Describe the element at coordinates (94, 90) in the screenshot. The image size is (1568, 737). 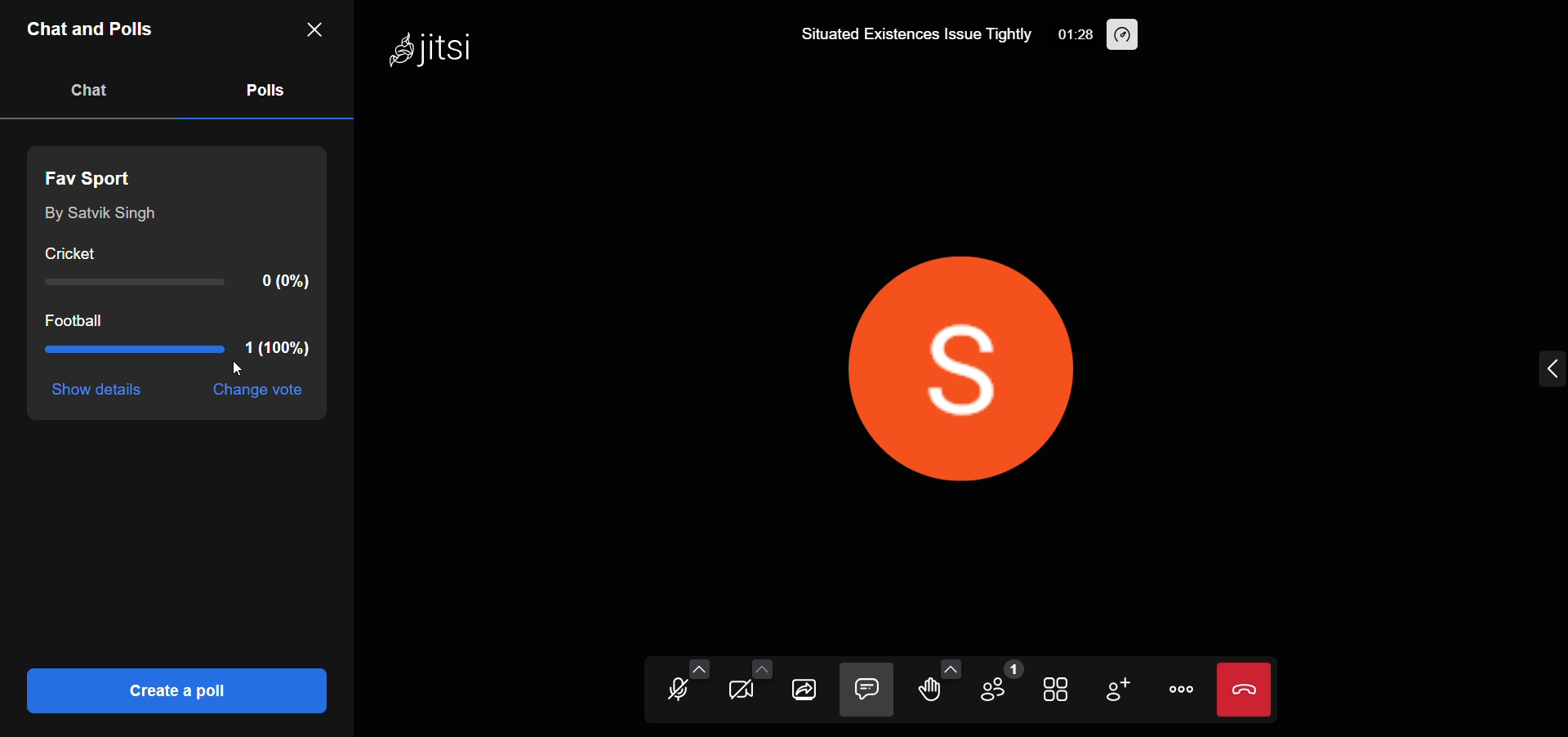
I see `chat` at that location.